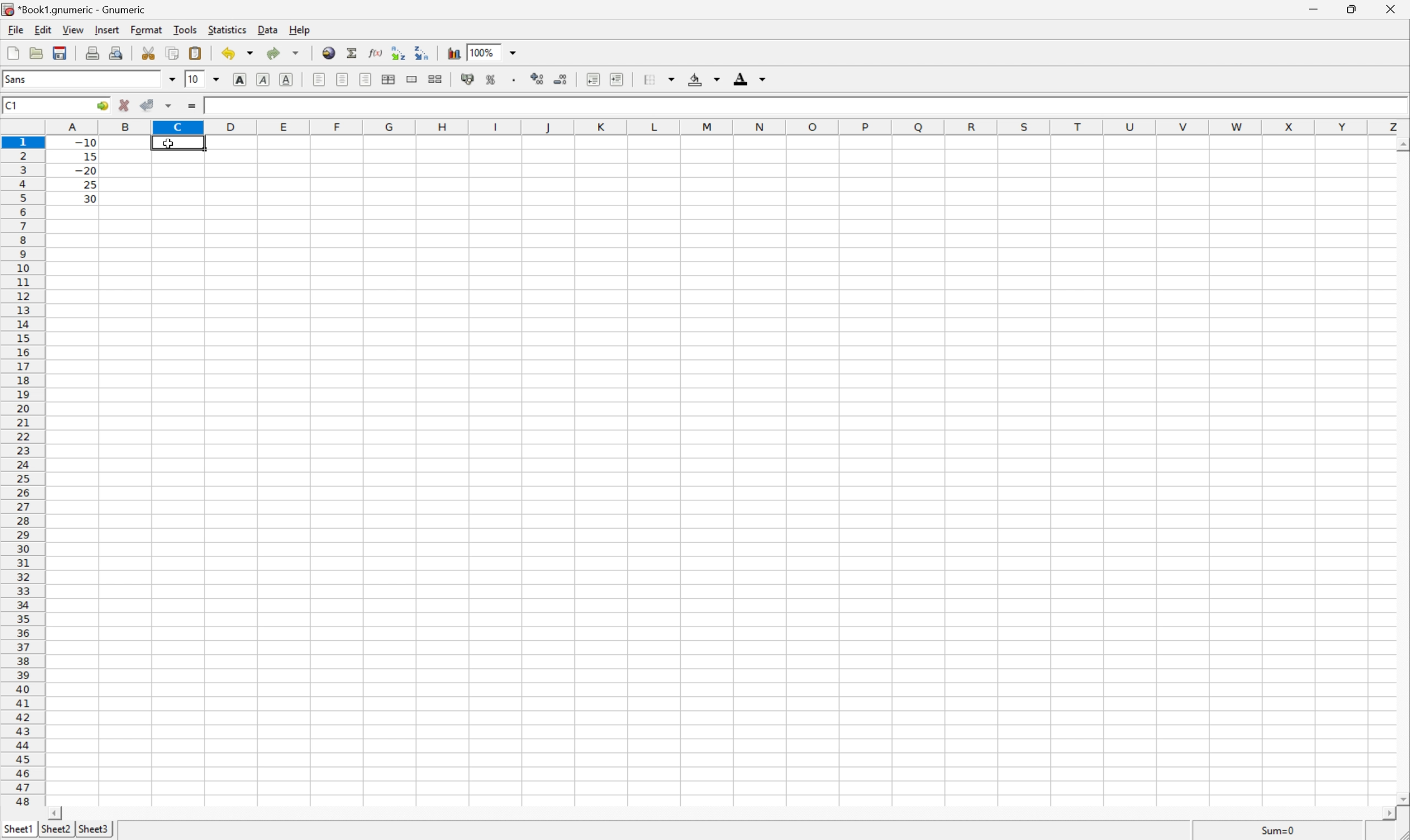  What do you see at coordinates (396, 52) in the screenshot?
I see `Sort the selected region in ascending order based on the first column selected` at bounding box center [396, 52].